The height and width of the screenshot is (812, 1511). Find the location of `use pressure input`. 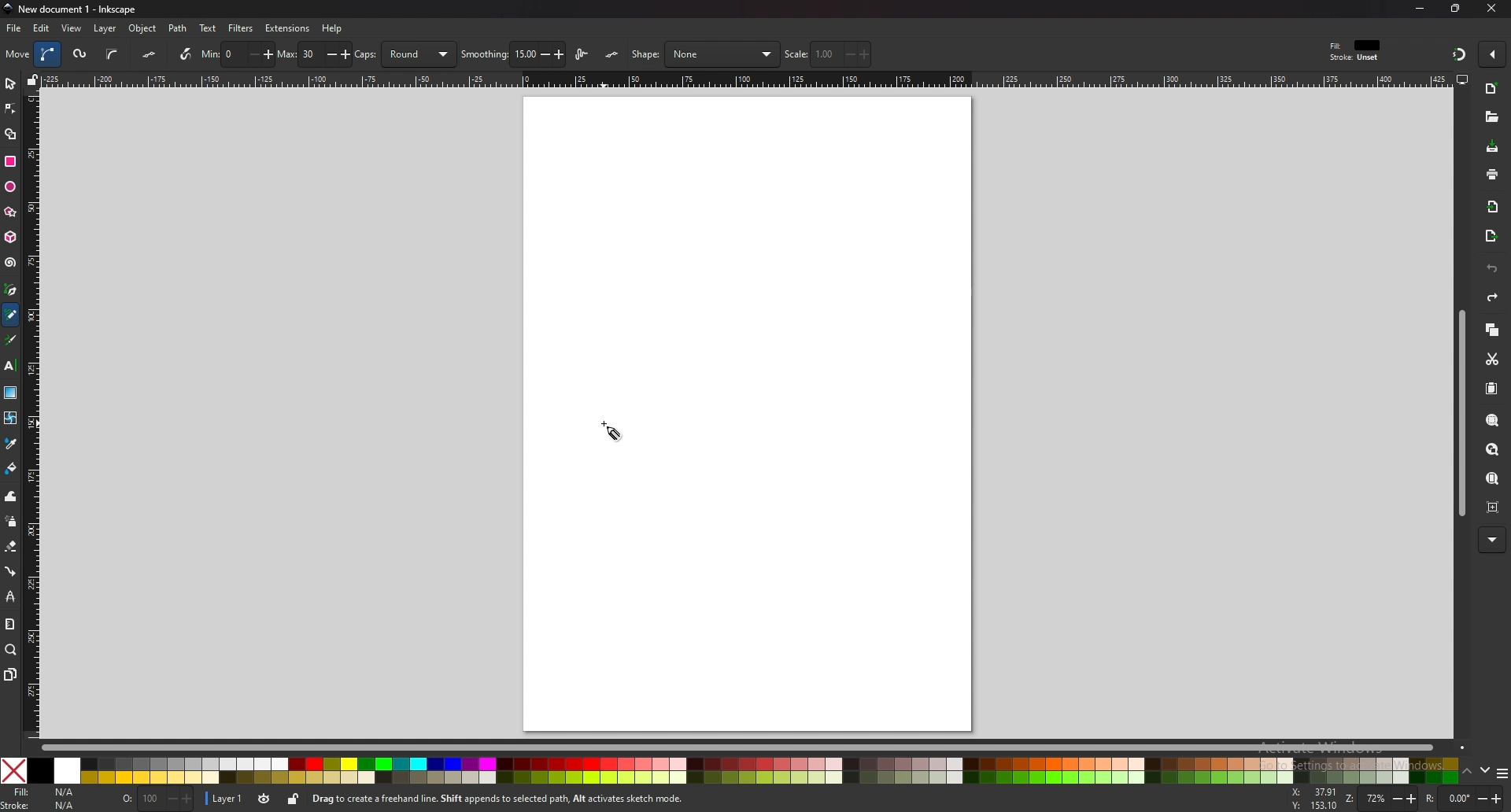

use pressure input is located at coordinates (181, 54).